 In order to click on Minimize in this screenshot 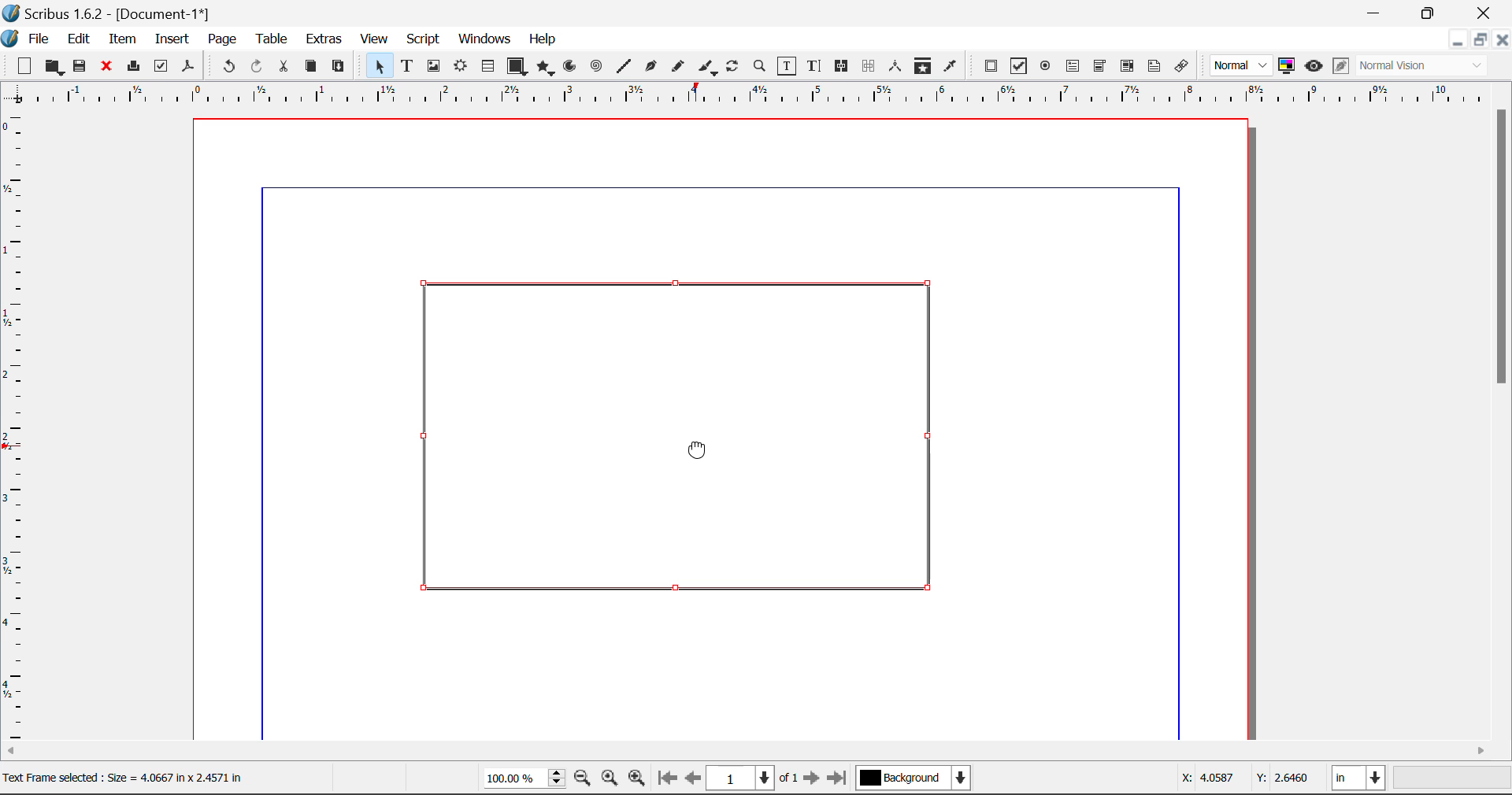, I will do `click(1480, 39)`.